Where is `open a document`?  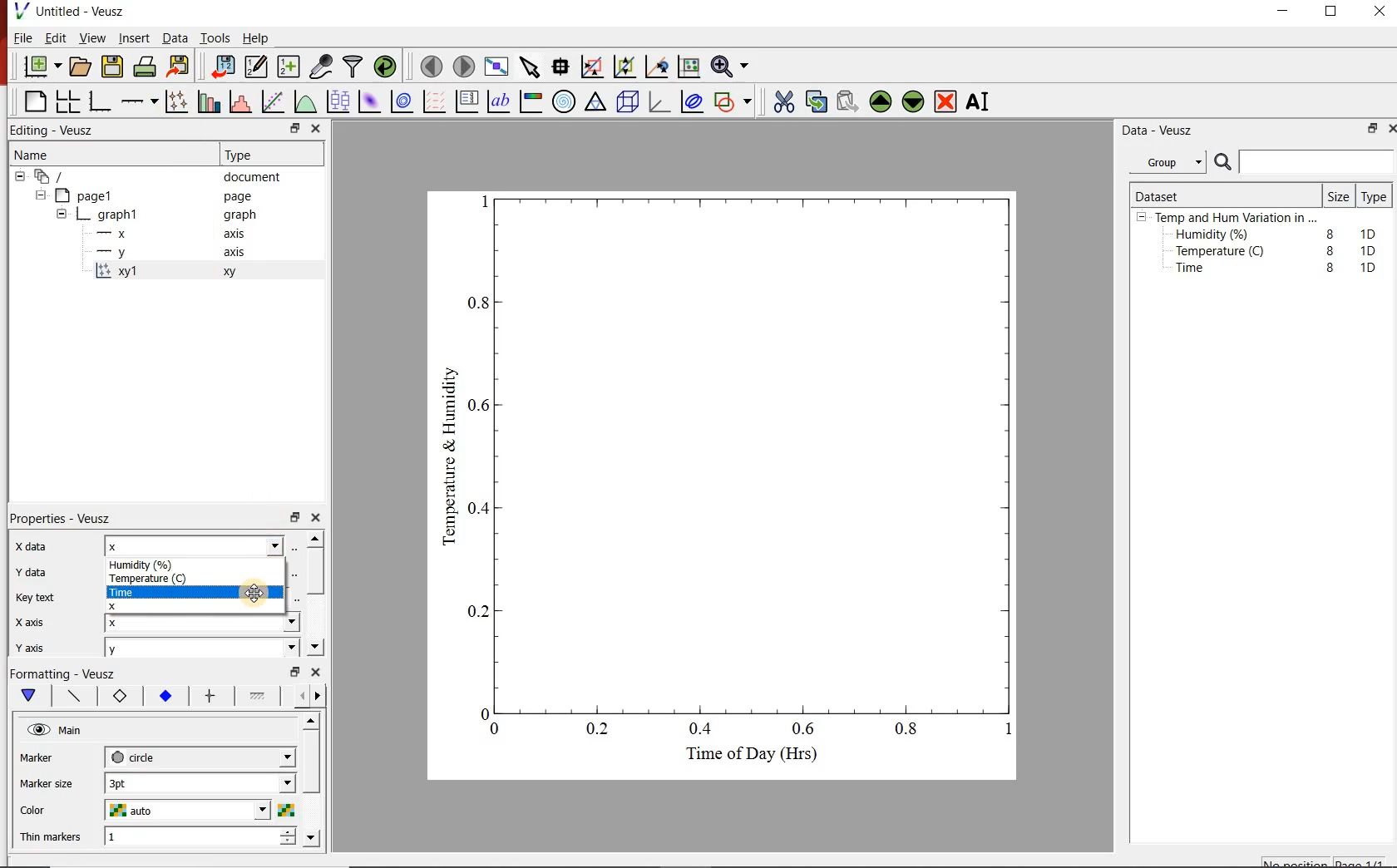 open a document is located at coordinates (81, 67).